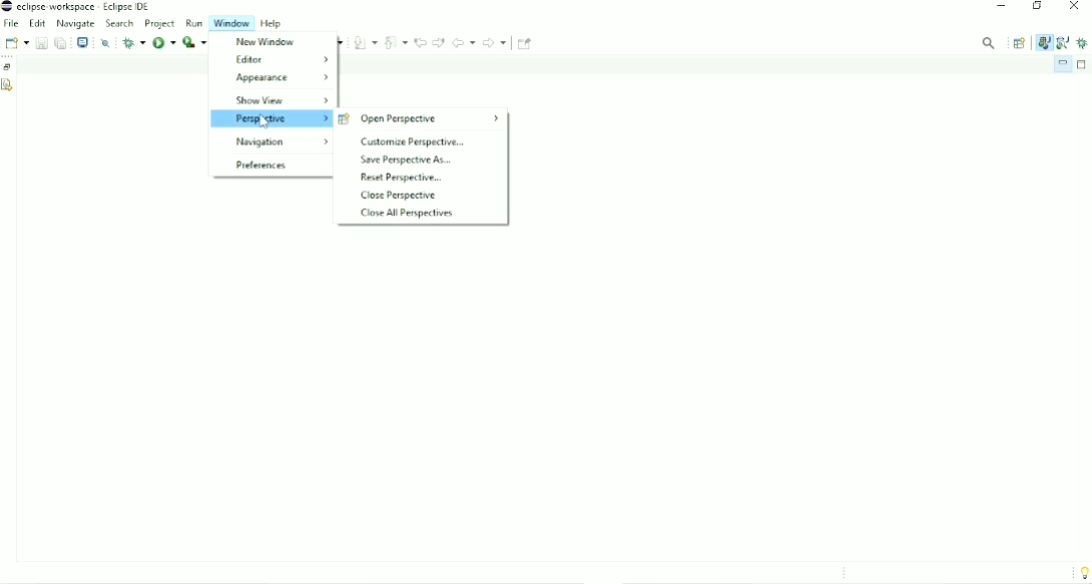 The height and width of the screenshot is (584, 1092). Describe the element at coordinates (1043, 44) in the screenshot. I see `Jav` at that location.